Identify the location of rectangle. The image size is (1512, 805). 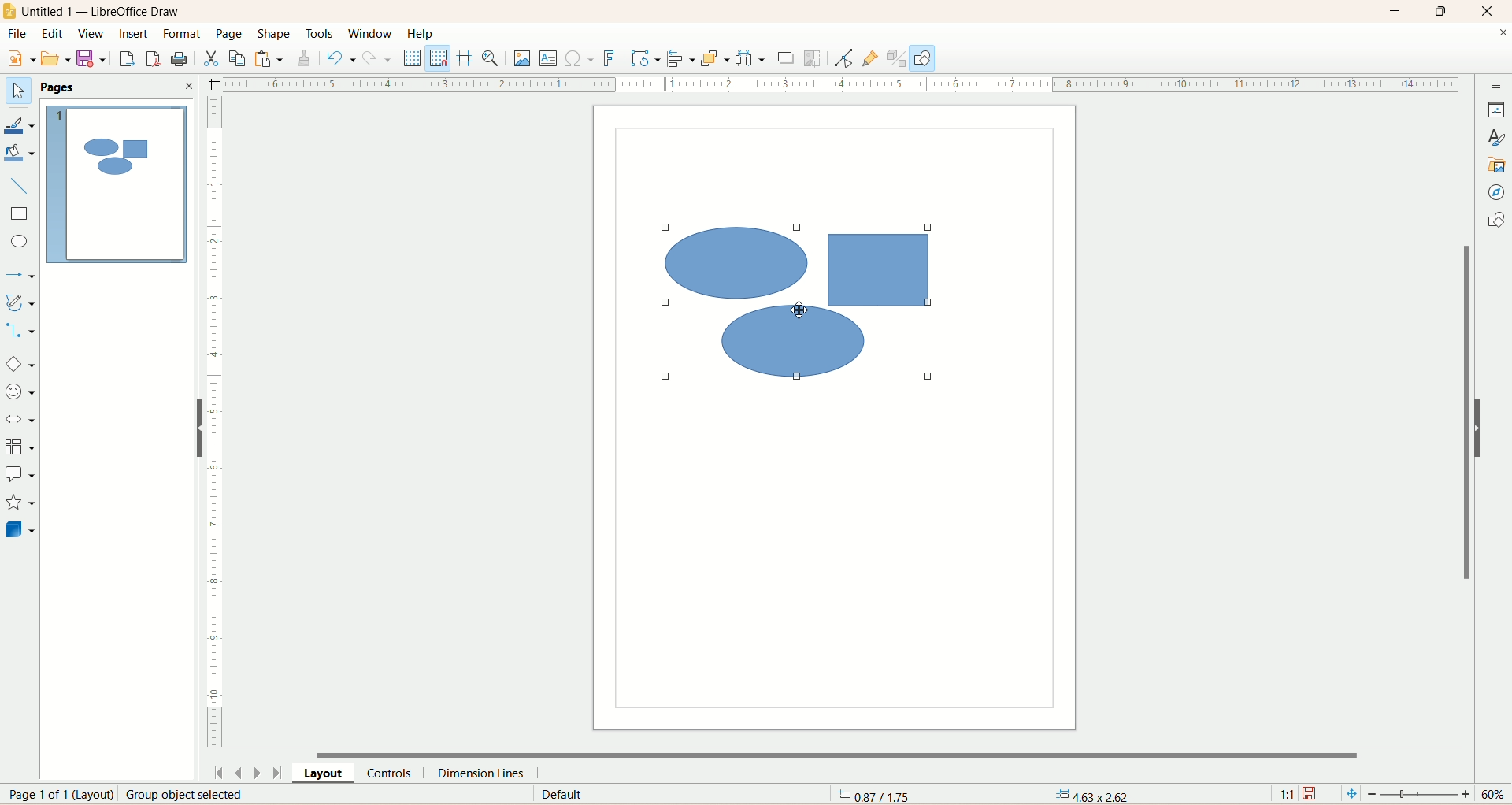
(20, 215).